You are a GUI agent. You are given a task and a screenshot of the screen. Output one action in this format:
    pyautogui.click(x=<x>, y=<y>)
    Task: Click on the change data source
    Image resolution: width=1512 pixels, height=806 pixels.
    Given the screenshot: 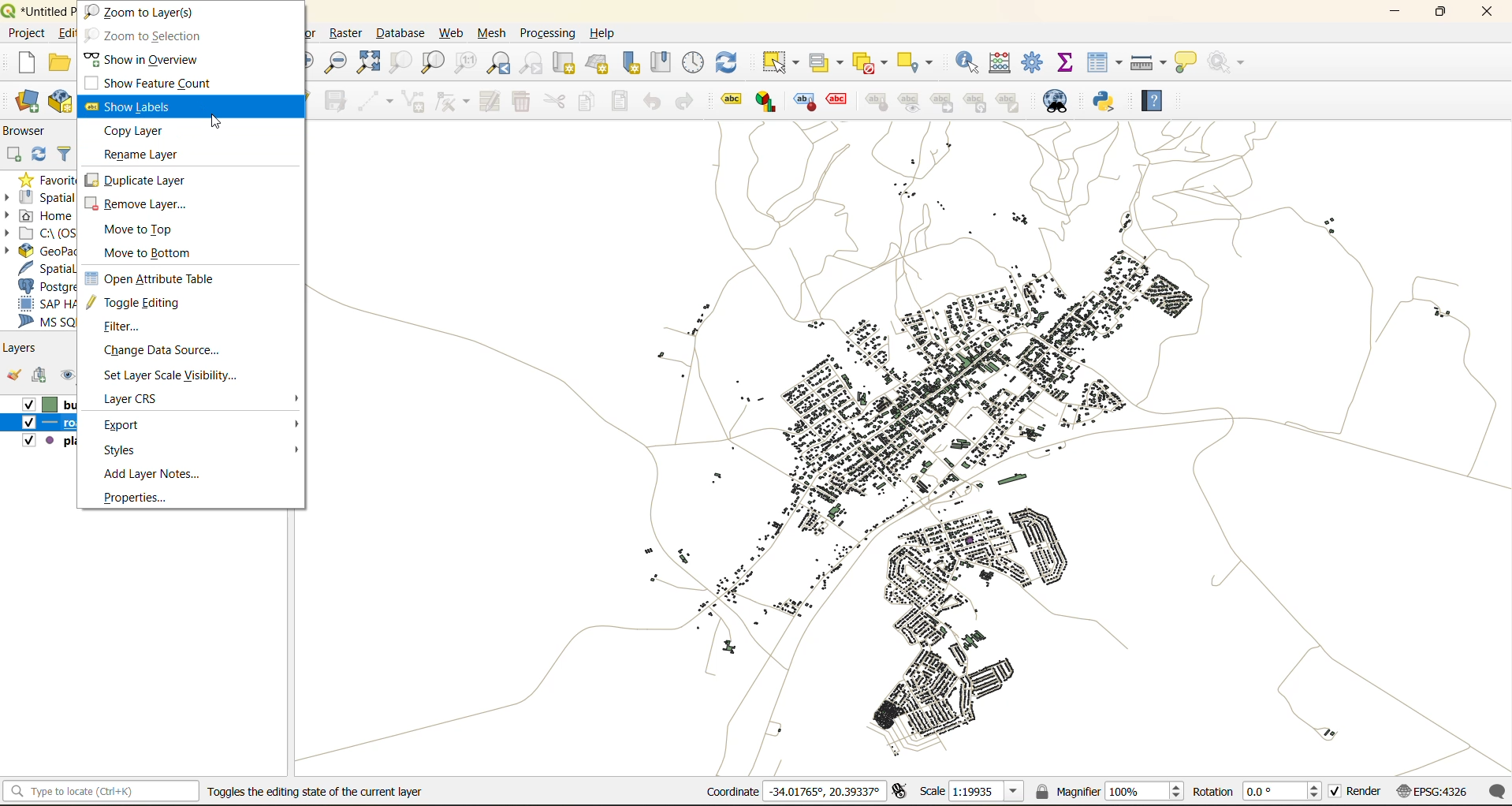 What is the action you would take?
    pyautogui.click(x=161, y=352)
    